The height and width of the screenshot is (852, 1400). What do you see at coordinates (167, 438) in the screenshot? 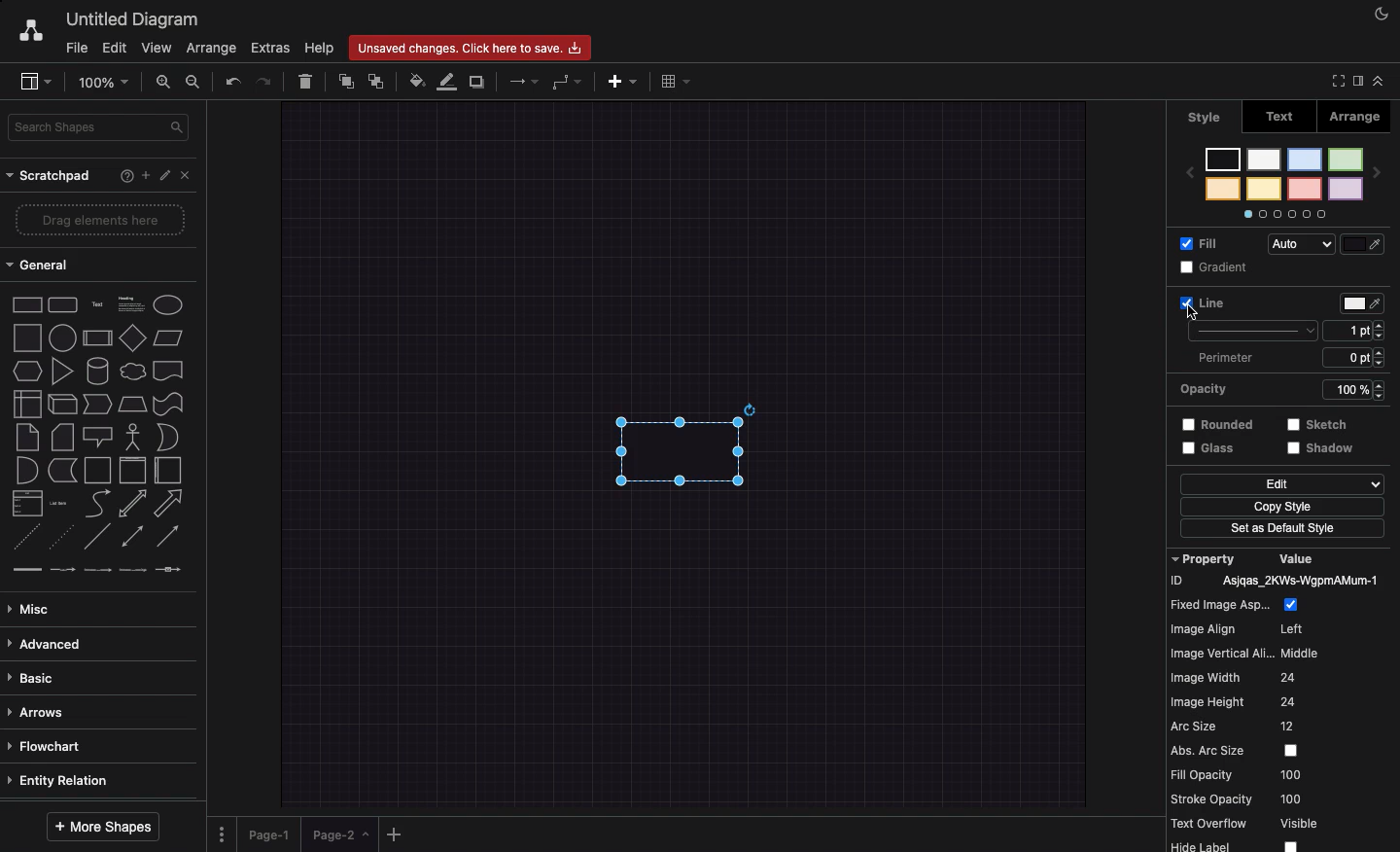
I see `or` at bounding box center [167, 438].